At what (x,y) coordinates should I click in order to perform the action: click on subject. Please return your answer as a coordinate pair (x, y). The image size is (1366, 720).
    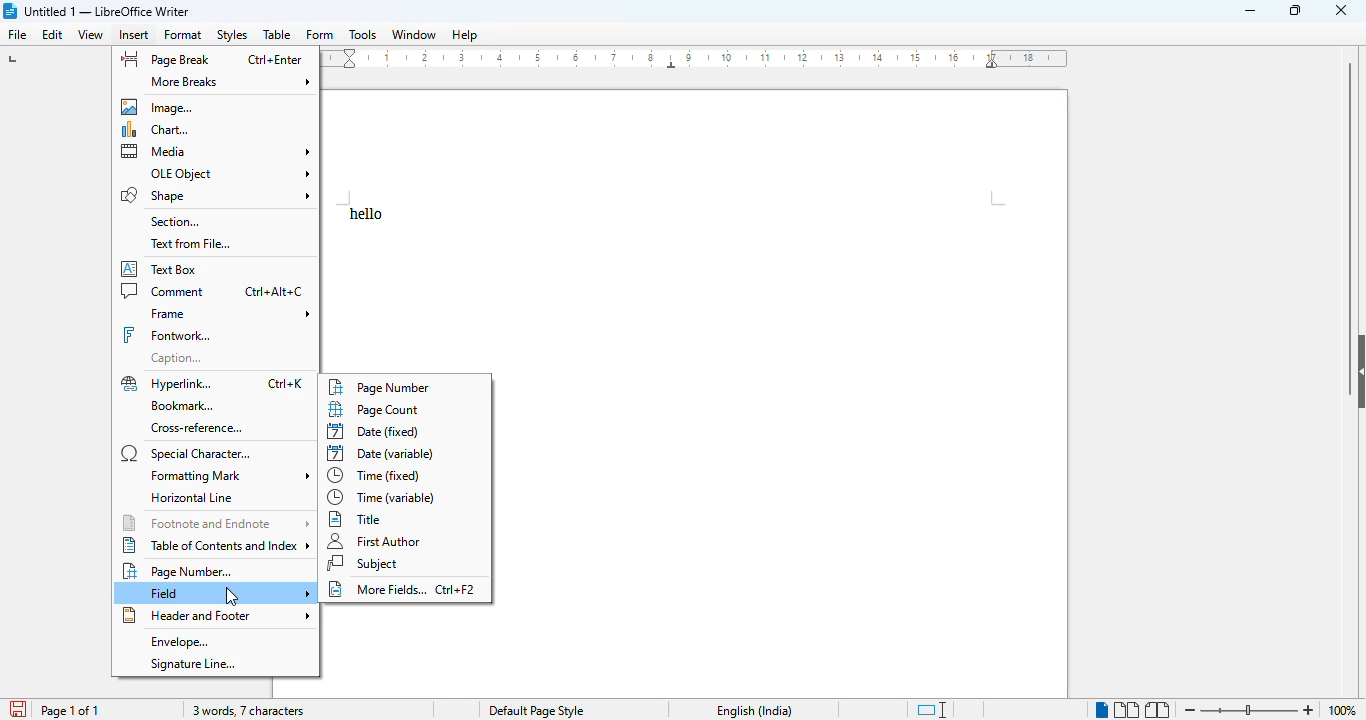
    Looking at the image, I should click on (365, 563).